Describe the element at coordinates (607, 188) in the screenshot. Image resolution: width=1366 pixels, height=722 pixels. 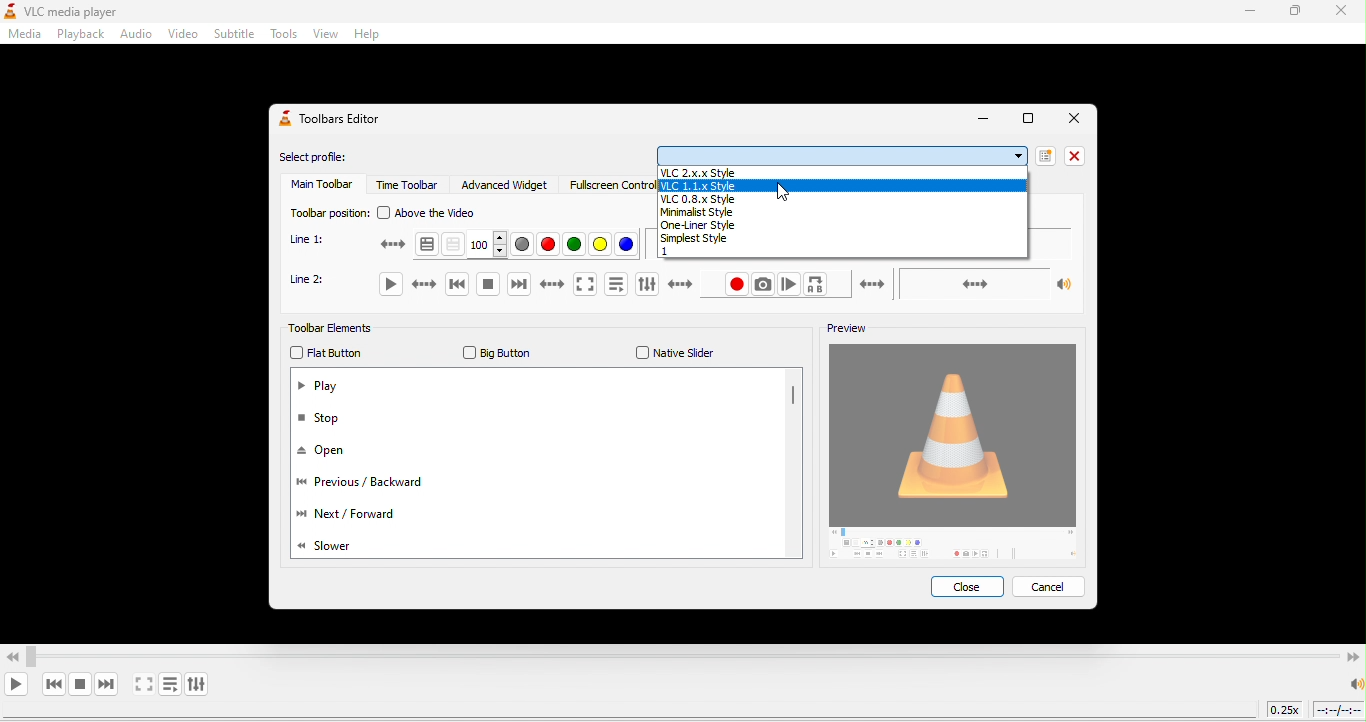
I see `fullscreen controller` at that location.